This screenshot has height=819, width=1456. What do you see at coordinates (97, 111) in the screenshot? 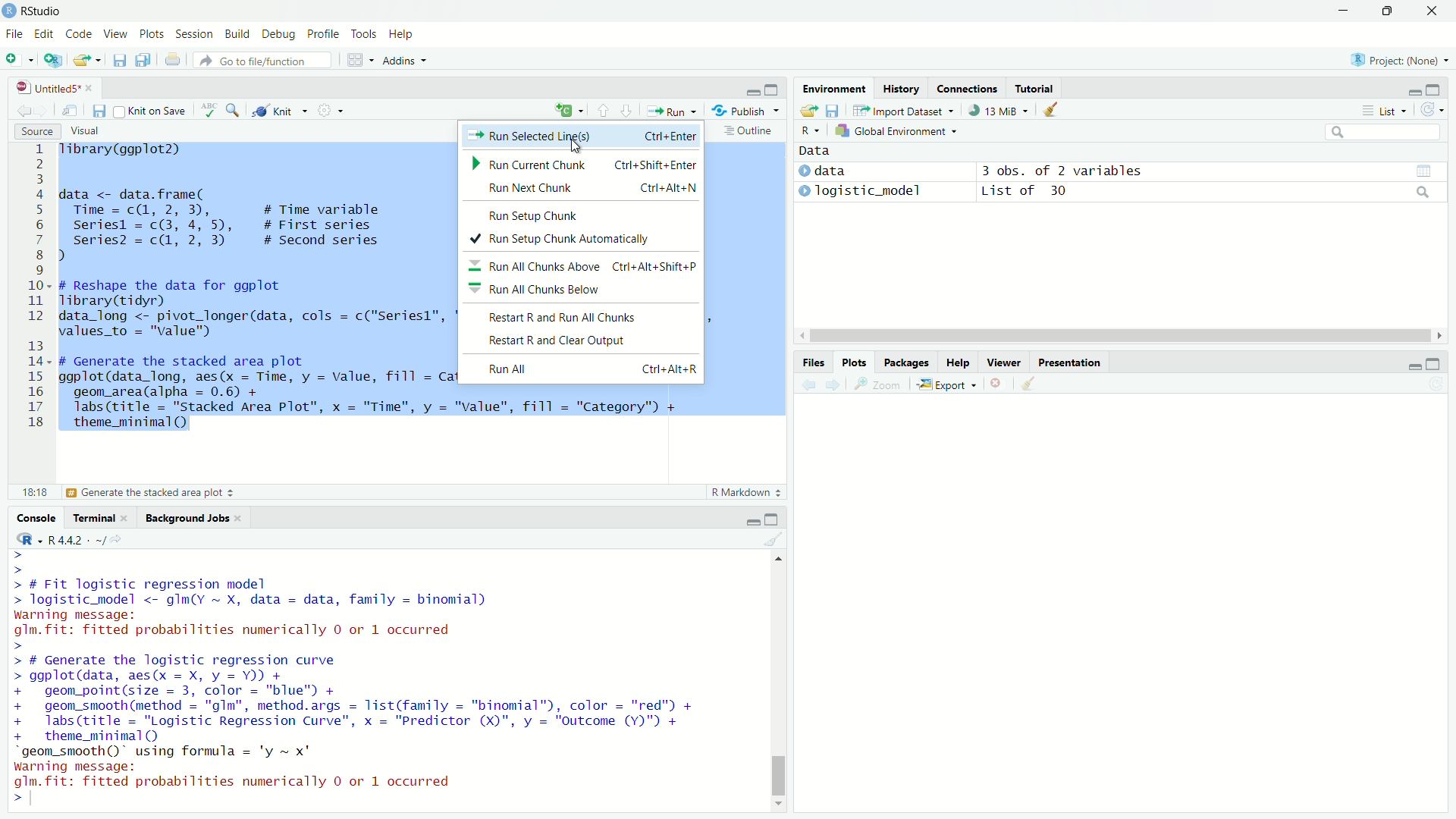
I see `save` at bounding box center [97, 111].